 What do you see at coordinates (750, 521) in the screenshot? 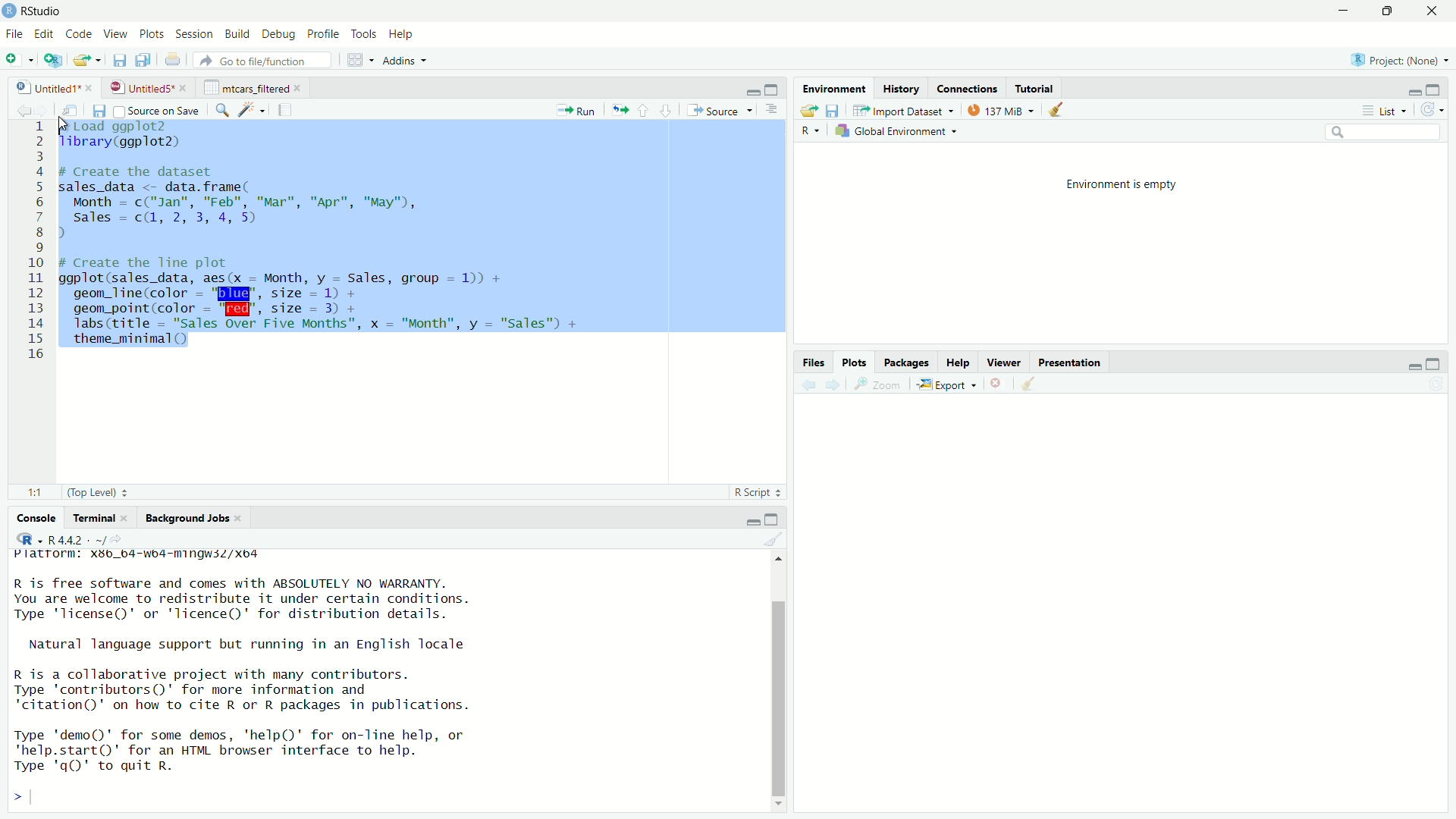
I see `minimize` at bounding box center [750, 521].